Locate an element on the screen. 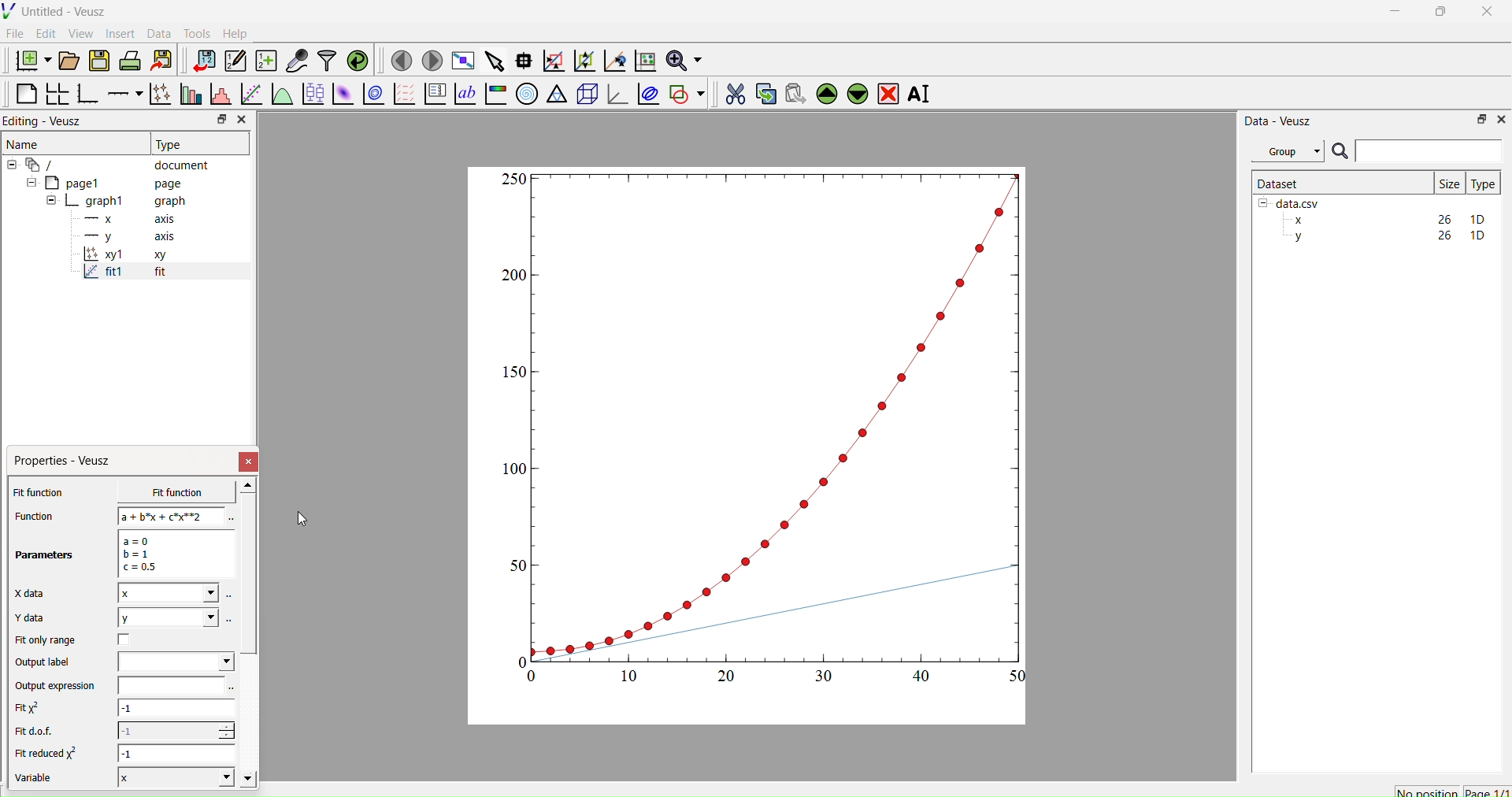 Image resolution: width=1512 pixels, height=797 pixels. Data - Veusz is located at coordinates (1278, 120).